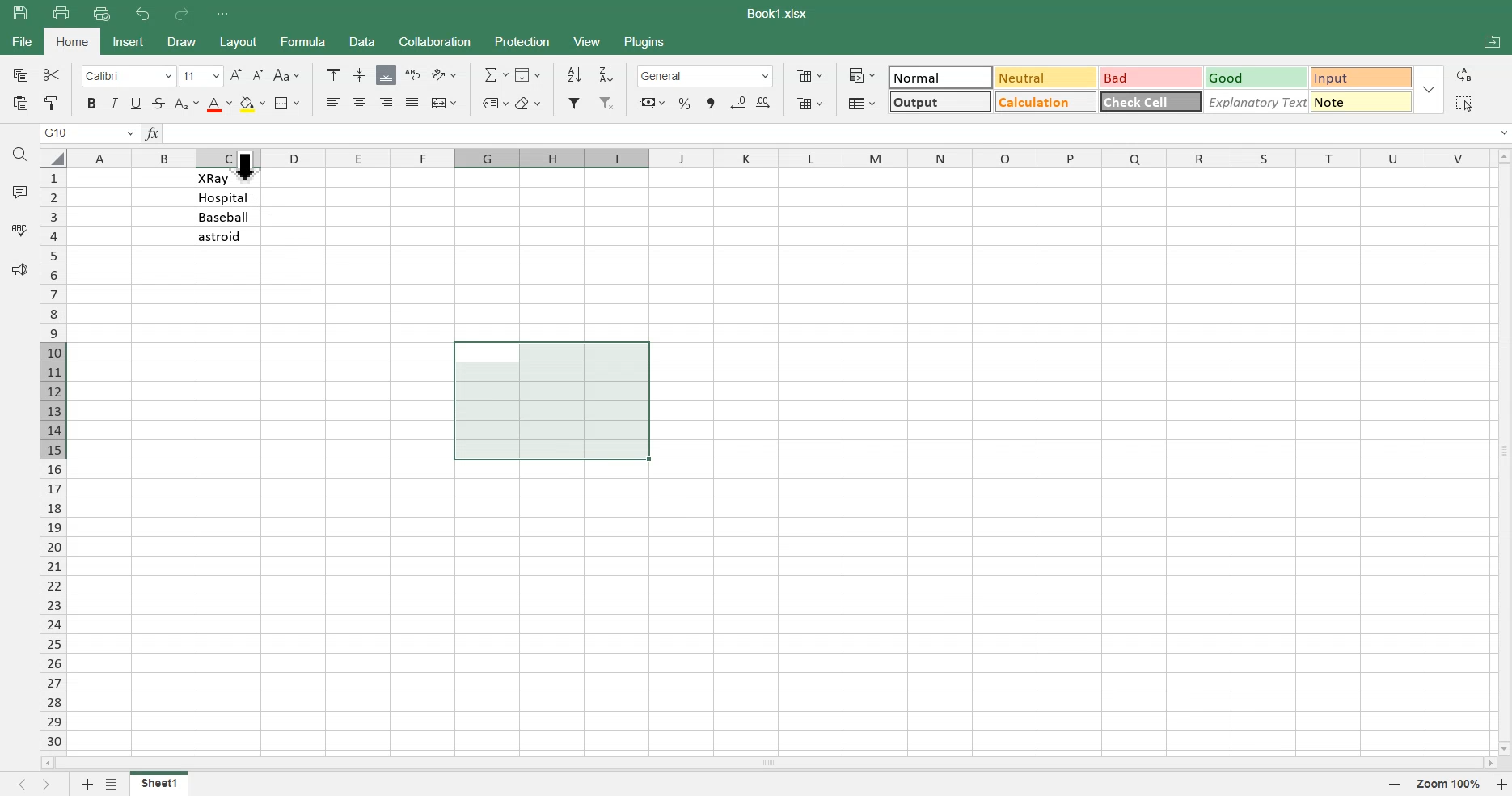  Describe the element at coordinates (114, 784) in the screenshot. I see `List Of Sheet` at that location.